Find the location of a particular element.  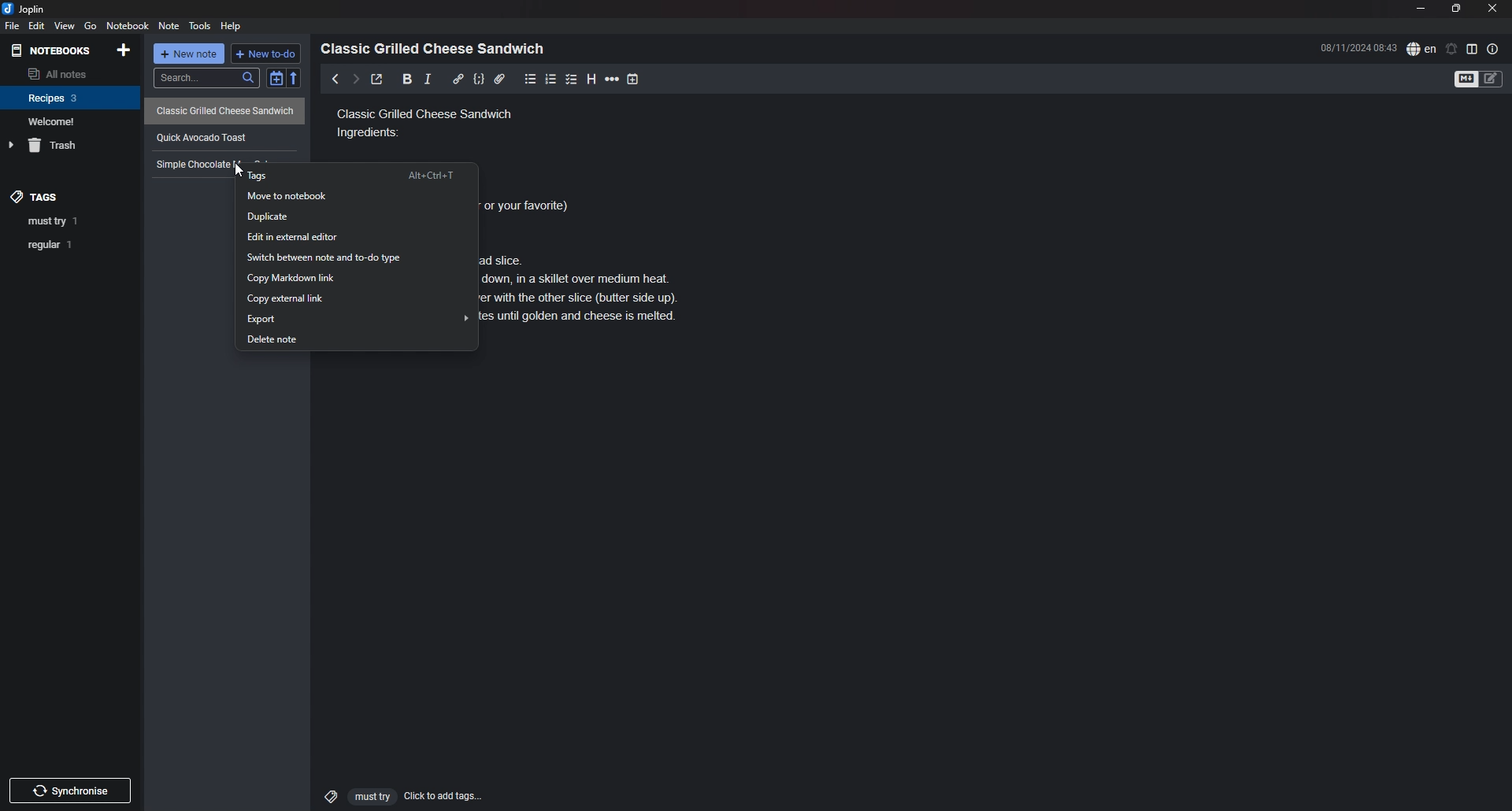

copy markdown link is located at coordinates (358, 278).